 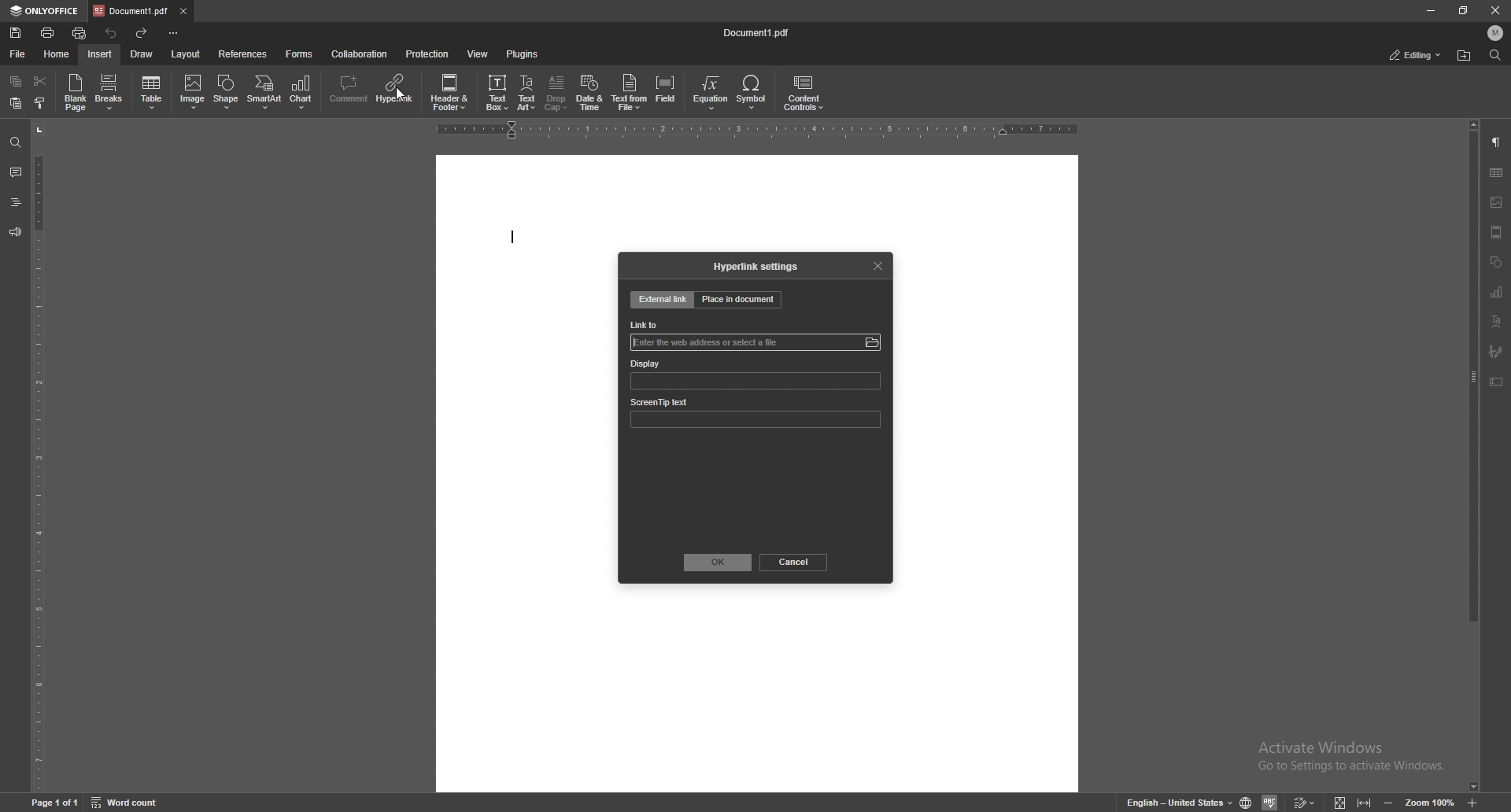 I want to click on paste, so click(x=17, y=102).